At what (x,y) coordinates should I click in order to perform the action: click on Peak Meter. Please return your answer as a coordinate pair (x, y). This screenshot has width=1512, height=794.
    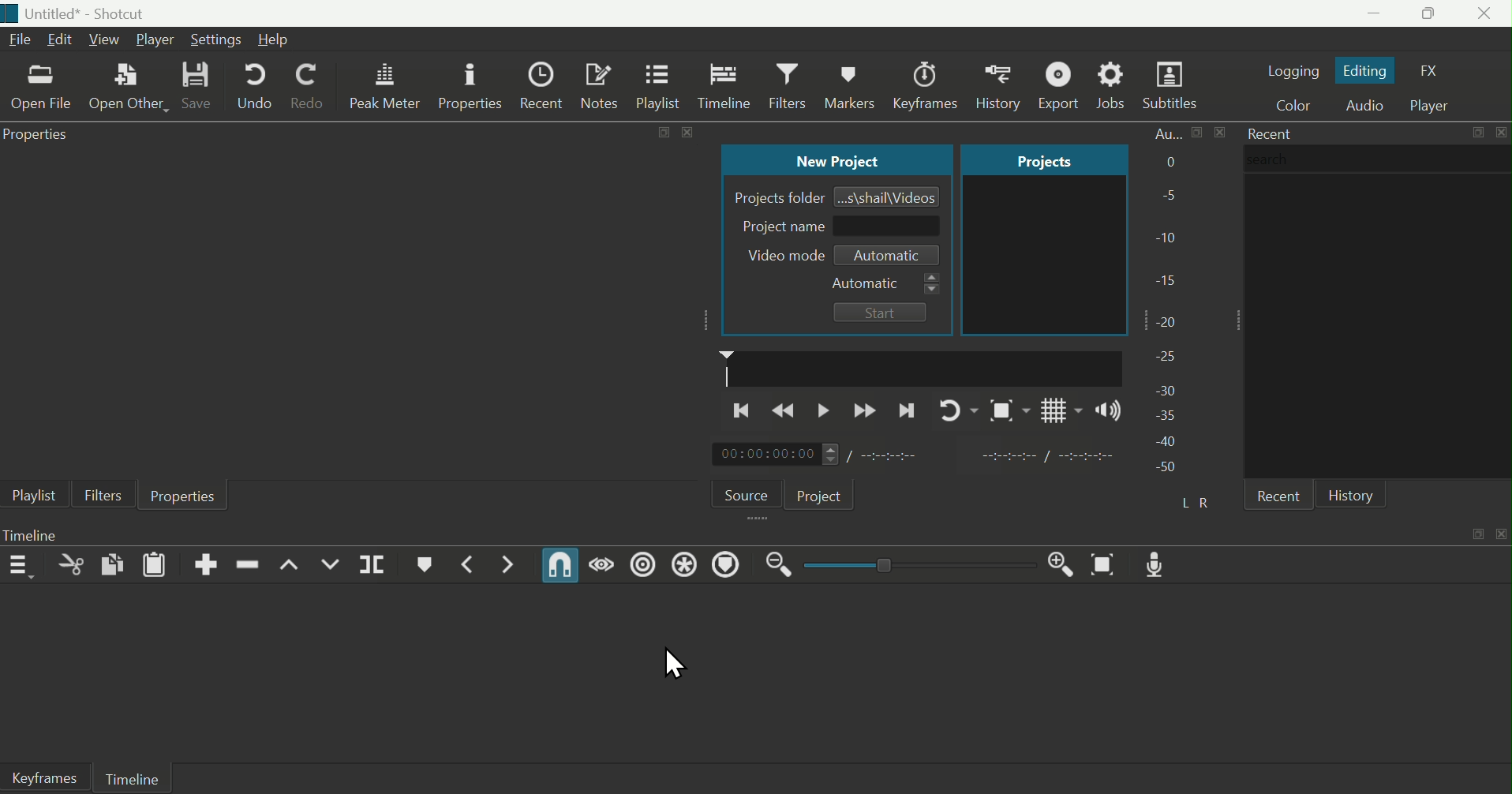
    Looking at the image, I should click on (386, 86).